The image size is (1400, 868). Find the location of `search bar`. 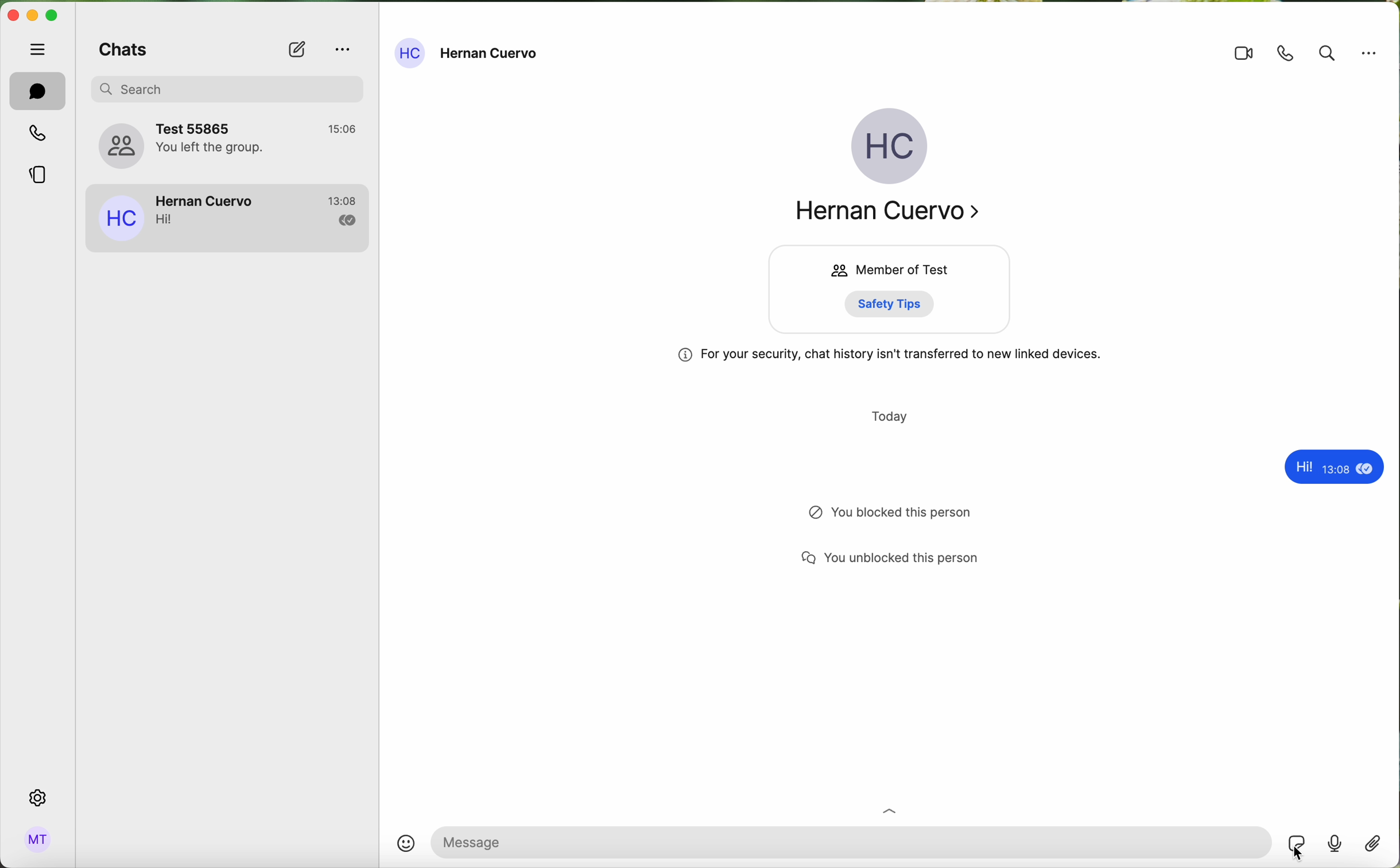

search bar is located at coordinates (235, 88).